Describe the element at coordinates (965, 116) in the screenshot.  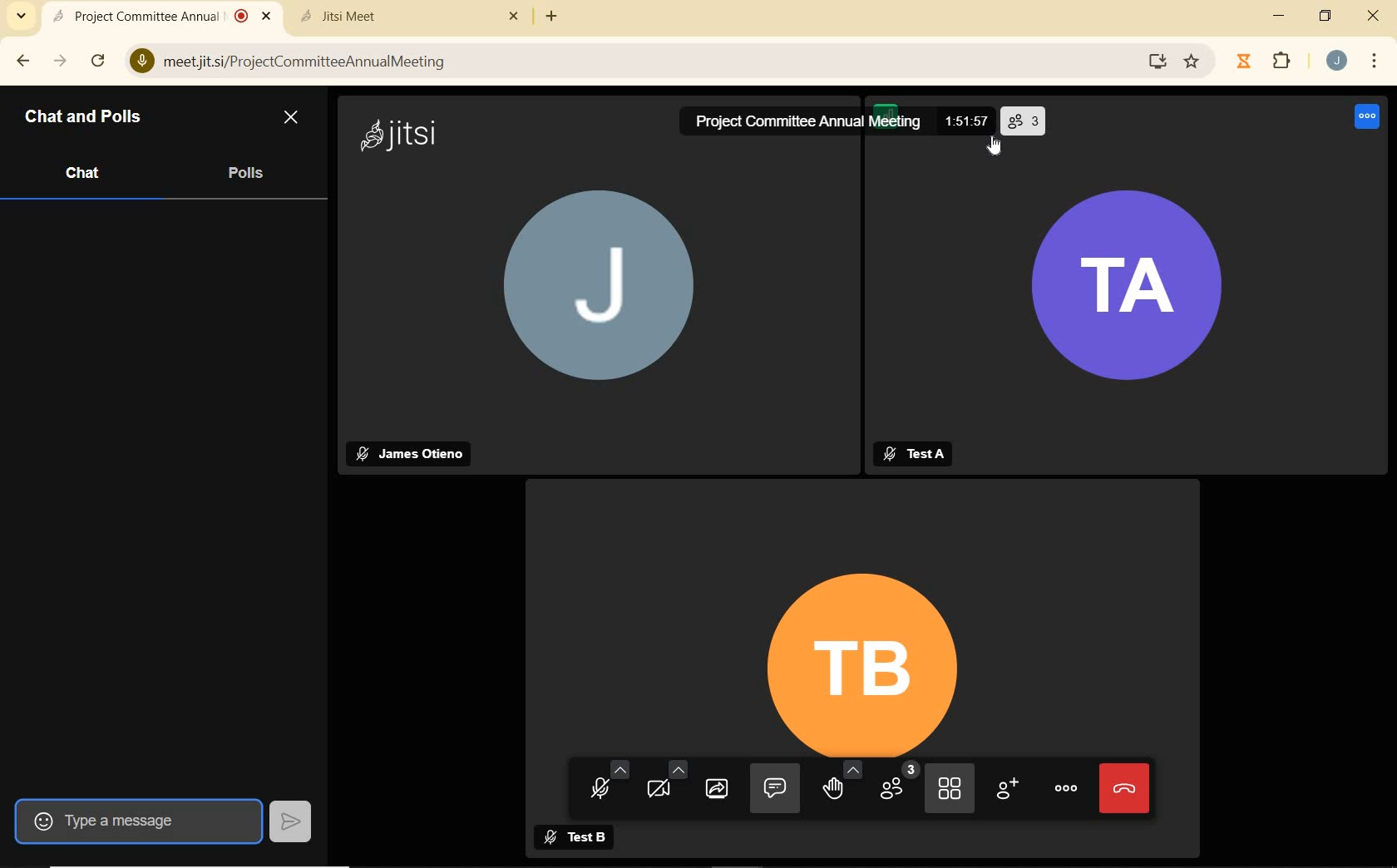
I see `timer` at that location.